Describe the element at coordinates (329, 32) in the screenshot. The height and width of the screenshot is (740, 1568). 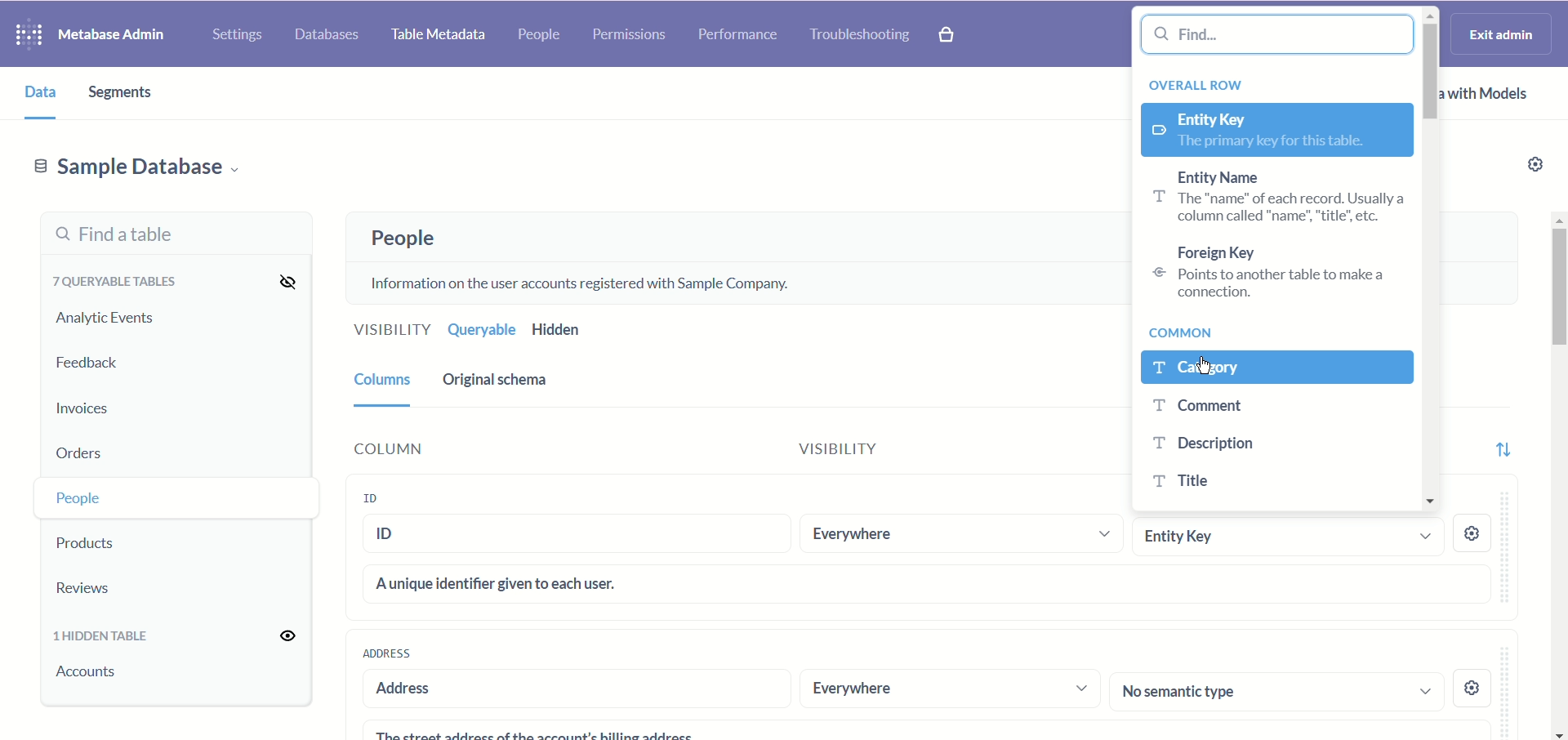
I see `Databases` at that location.